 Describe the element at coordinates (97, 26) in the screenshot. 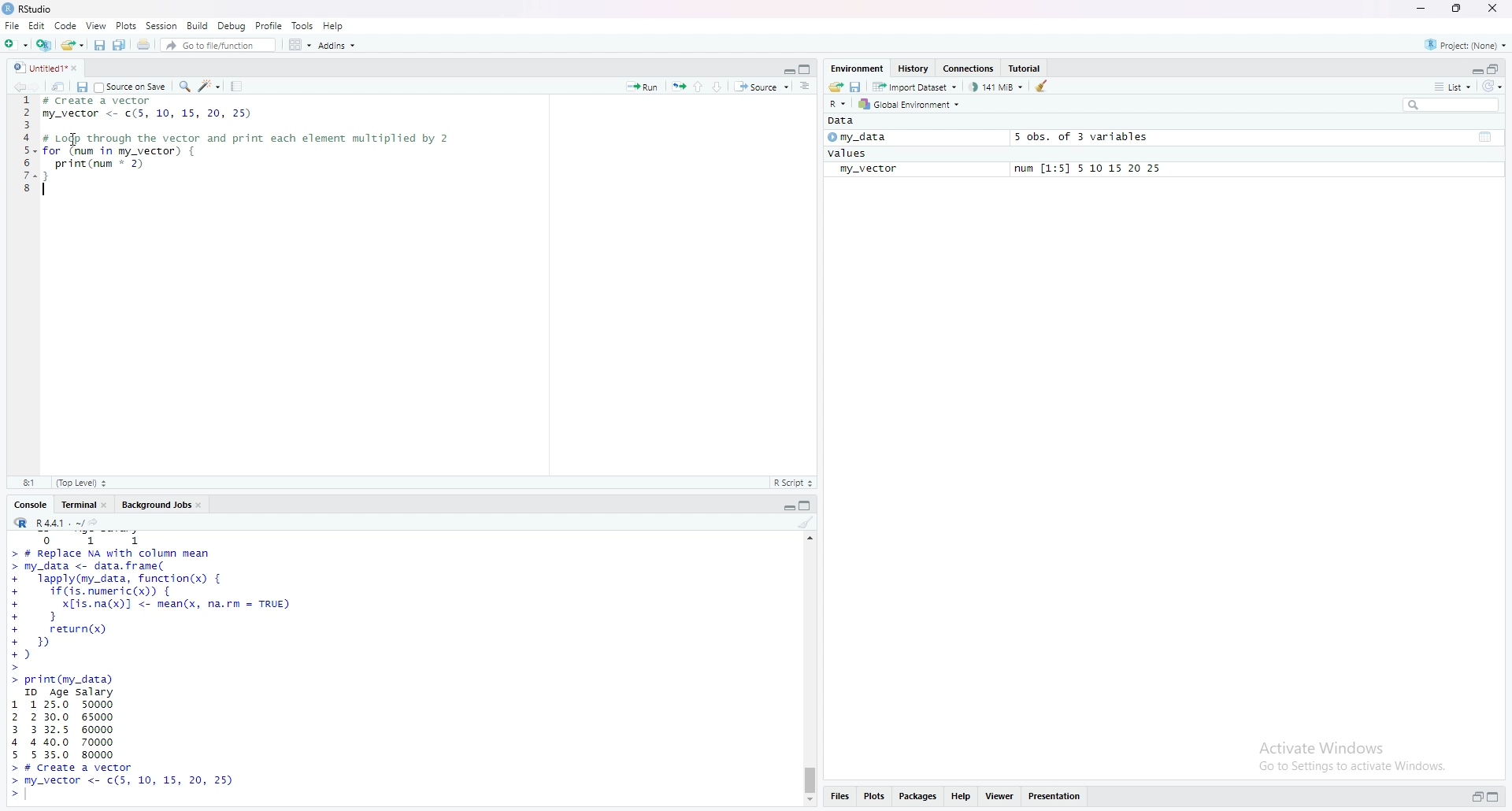

I see `view` at that location.